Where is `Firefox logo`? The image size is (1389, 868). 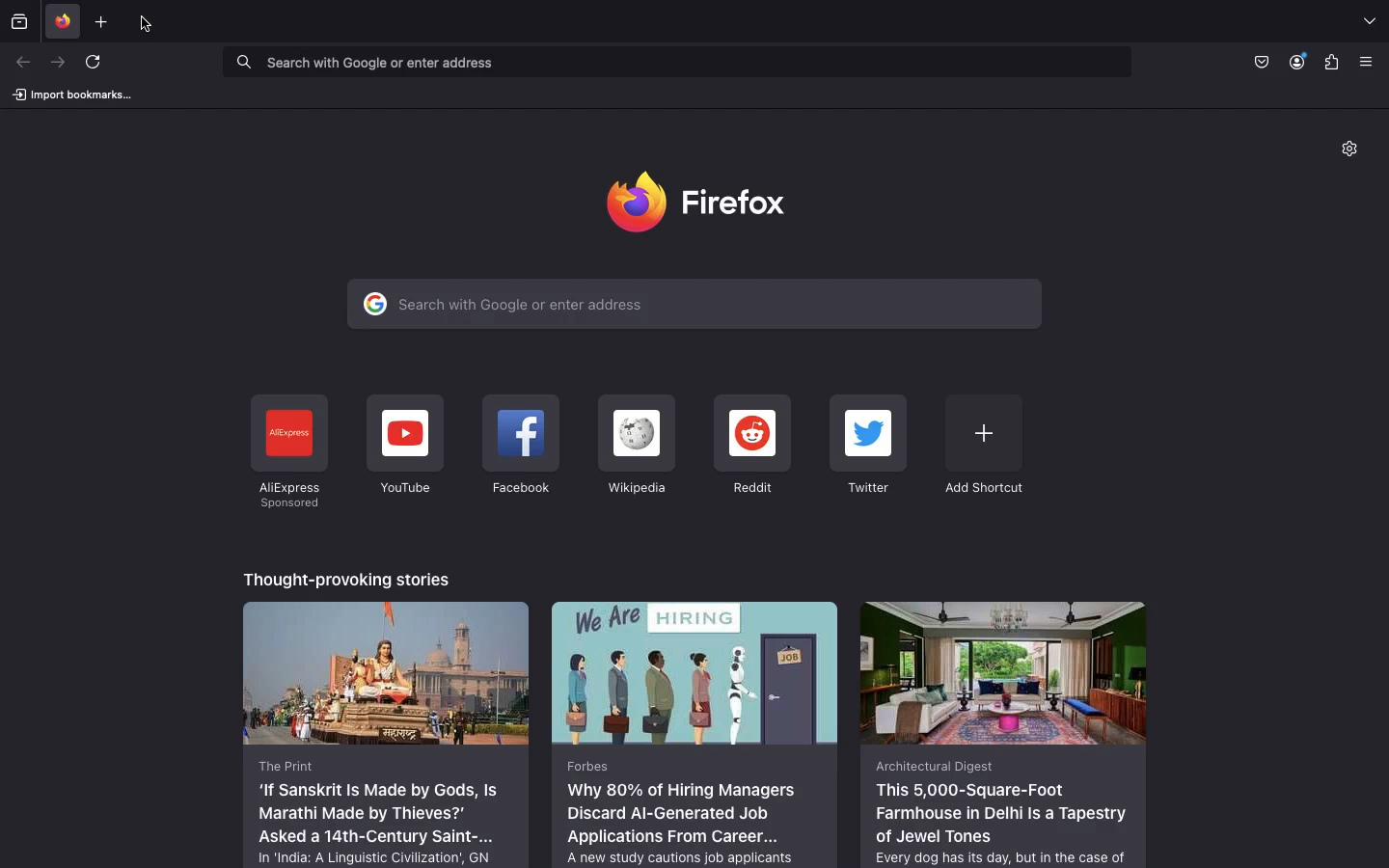
Firefox logo is located at coordinates (704, 201).